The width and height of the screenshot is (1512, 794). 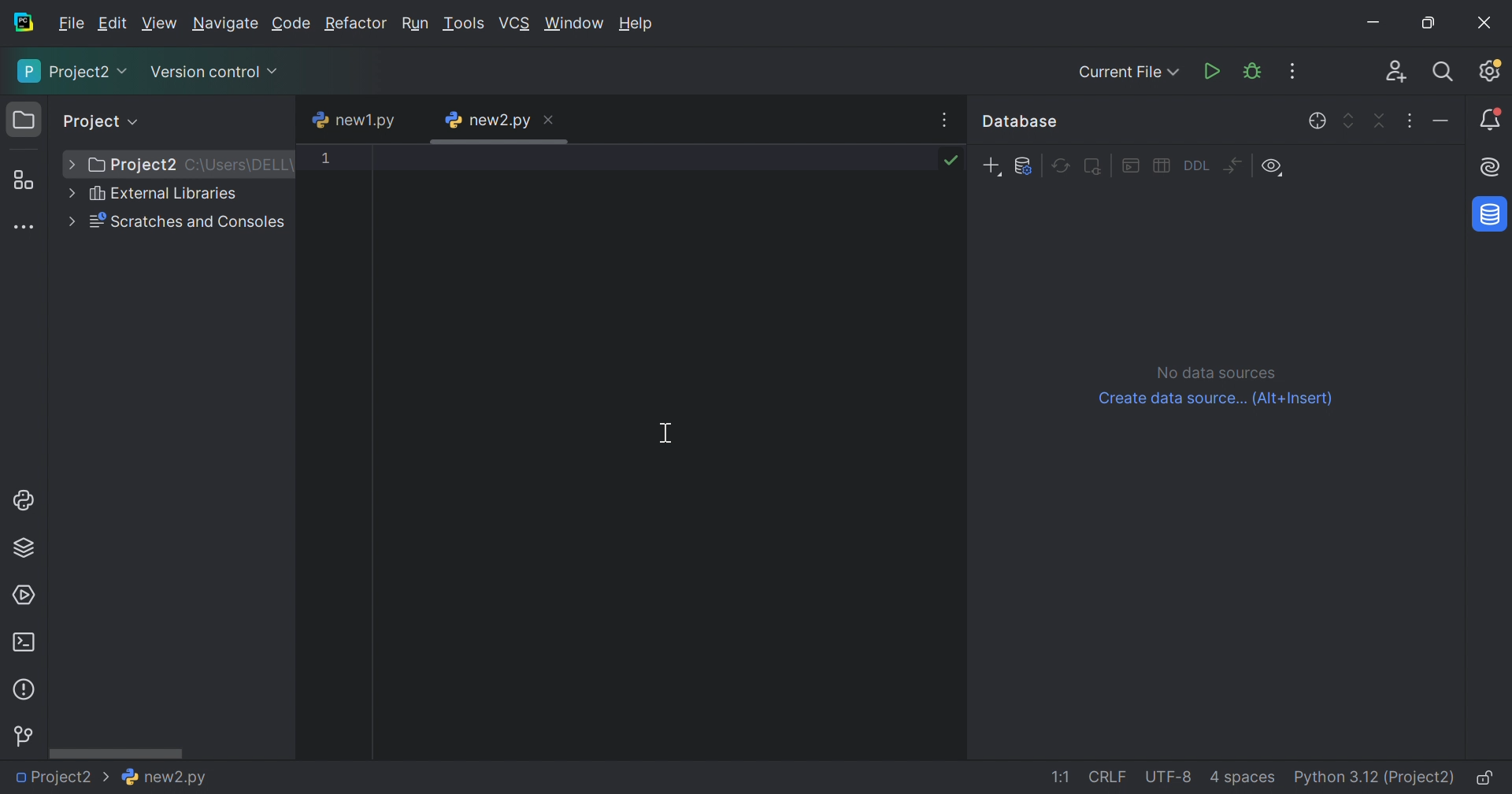 What do you see at coordinates (1233, 165) in the screenshot?
I see `Compare structure` at bounding box center [1233, 165].